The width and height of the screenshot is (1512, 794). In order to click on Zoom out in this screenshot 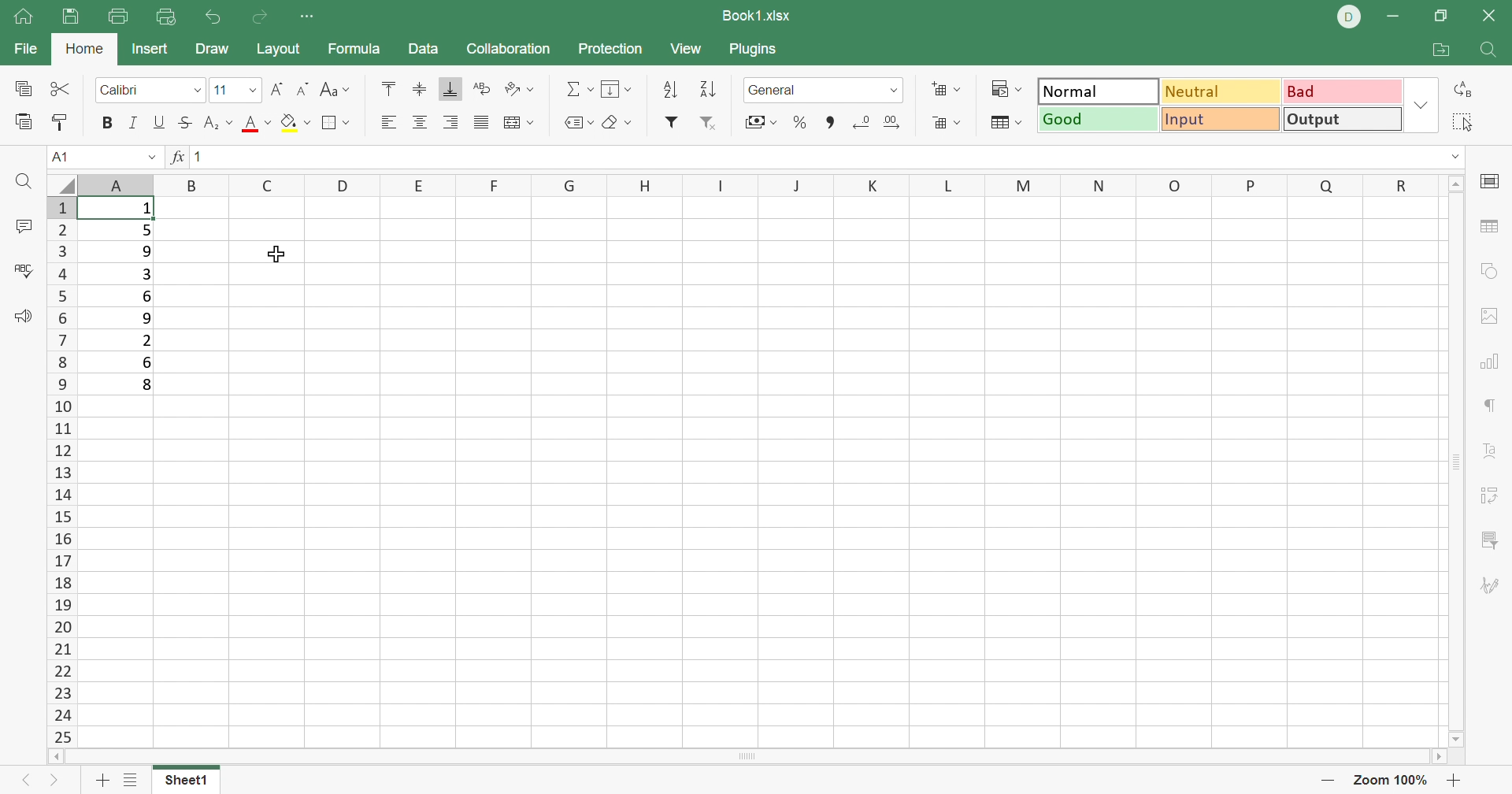, I will do `click(1326, 783)`.